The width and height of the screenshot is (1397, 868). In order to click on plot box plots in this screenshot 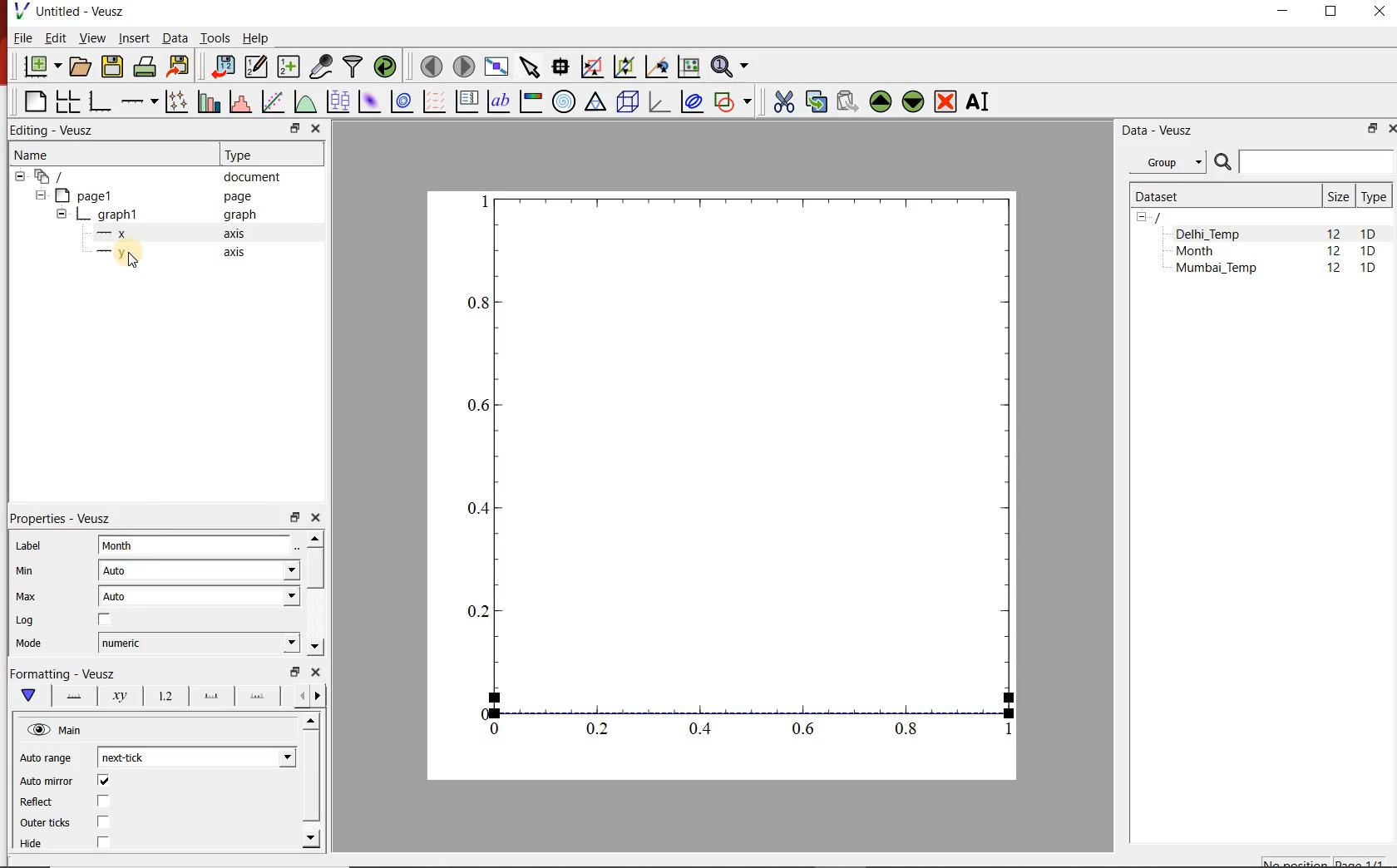, I will do `click(338, 101)`.